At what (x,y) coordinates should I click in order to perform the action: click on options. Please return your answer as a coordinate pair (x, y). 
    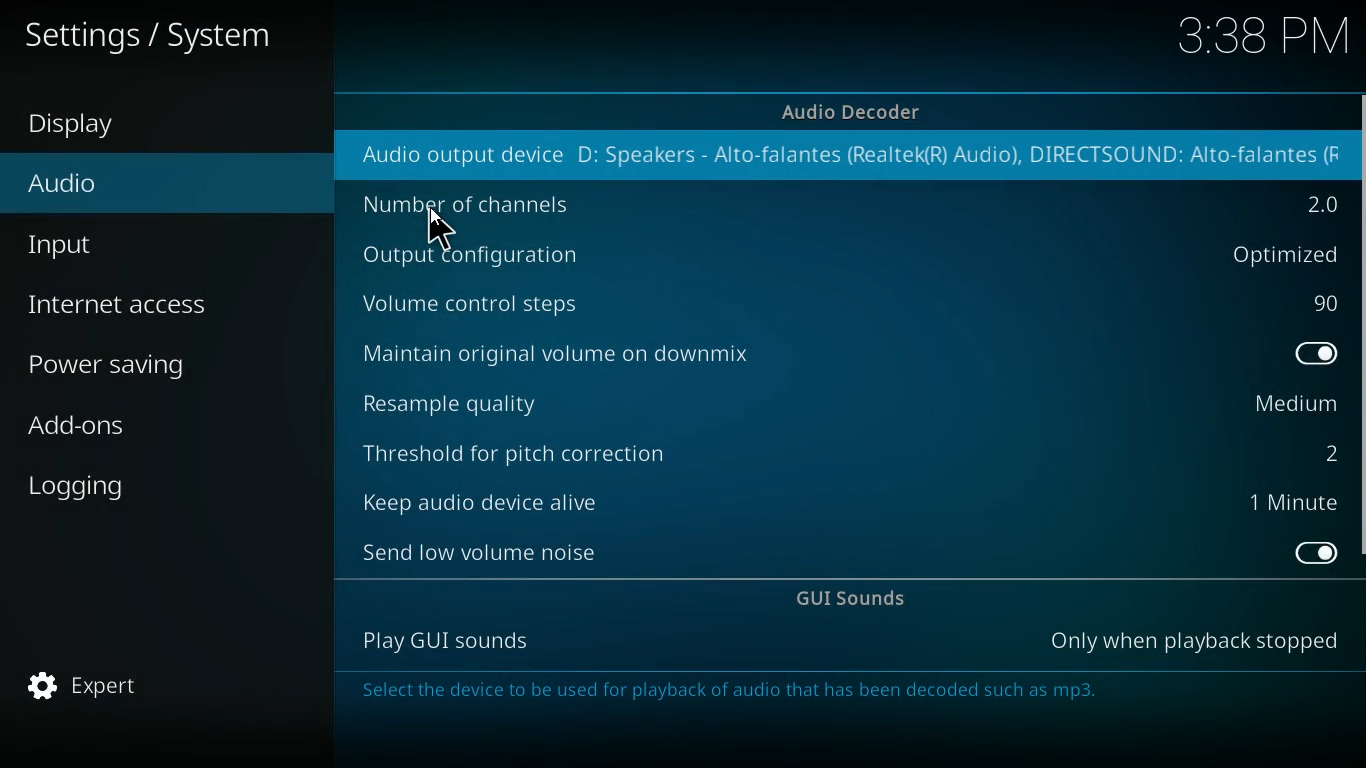
    Looking at the image, I should click on (1197, 641).